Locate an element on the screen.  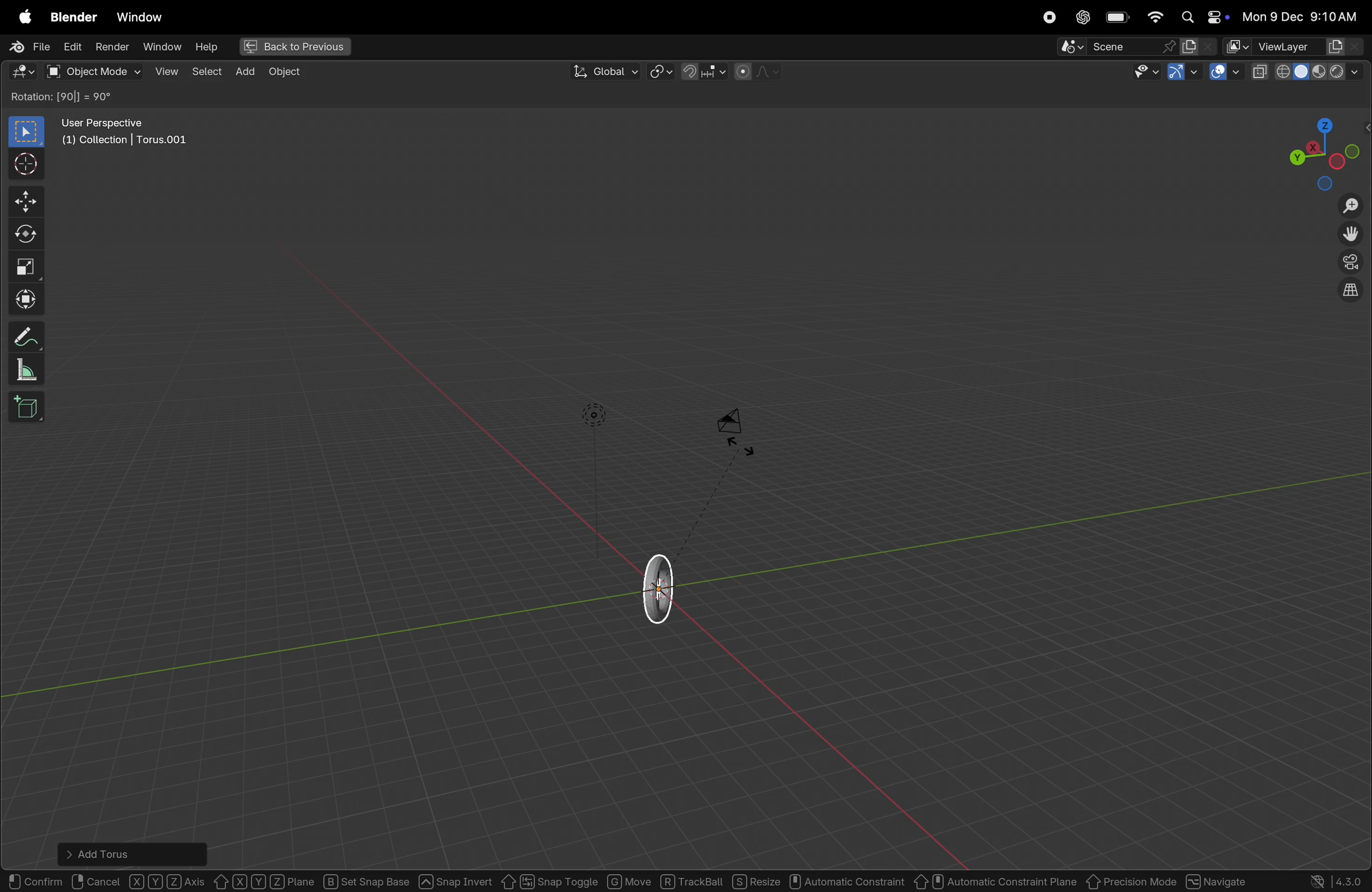
view point is located at coordinates (1321, 151).